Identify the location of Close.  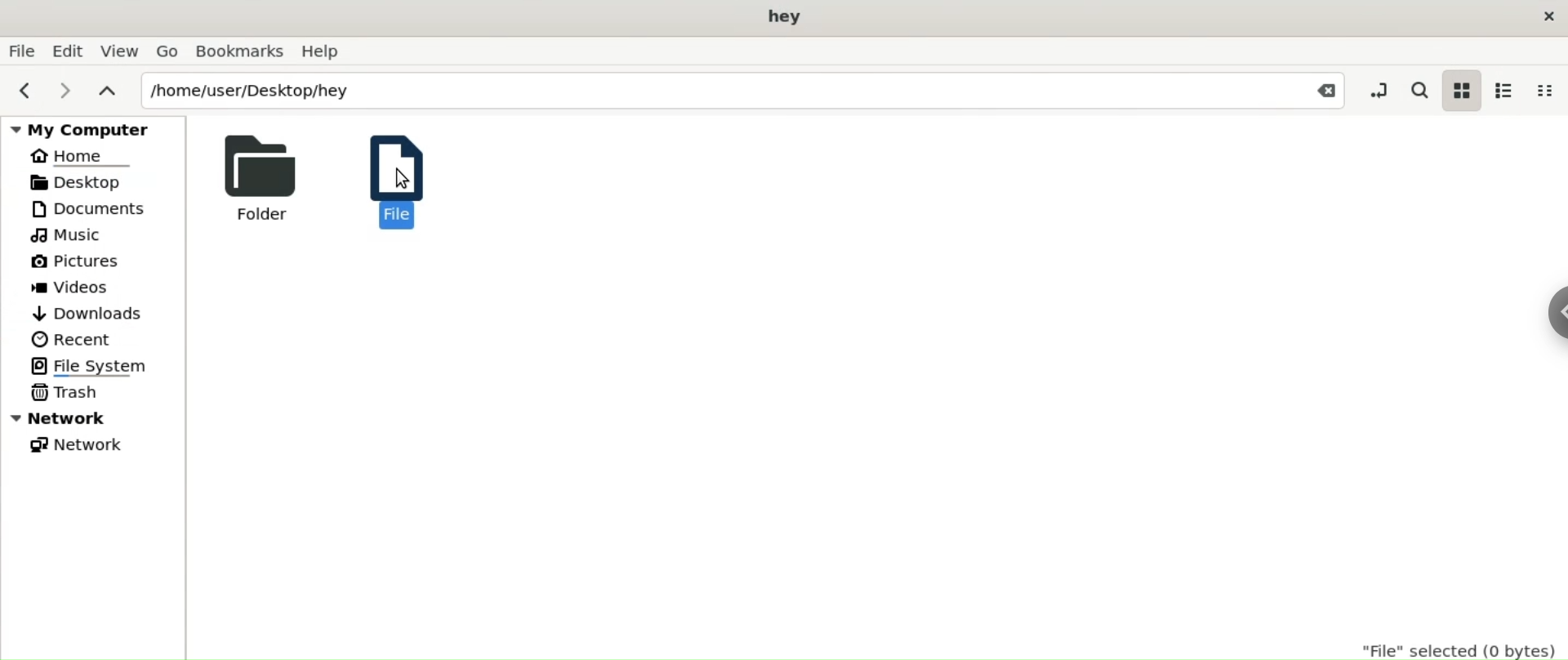
(1325, 90).